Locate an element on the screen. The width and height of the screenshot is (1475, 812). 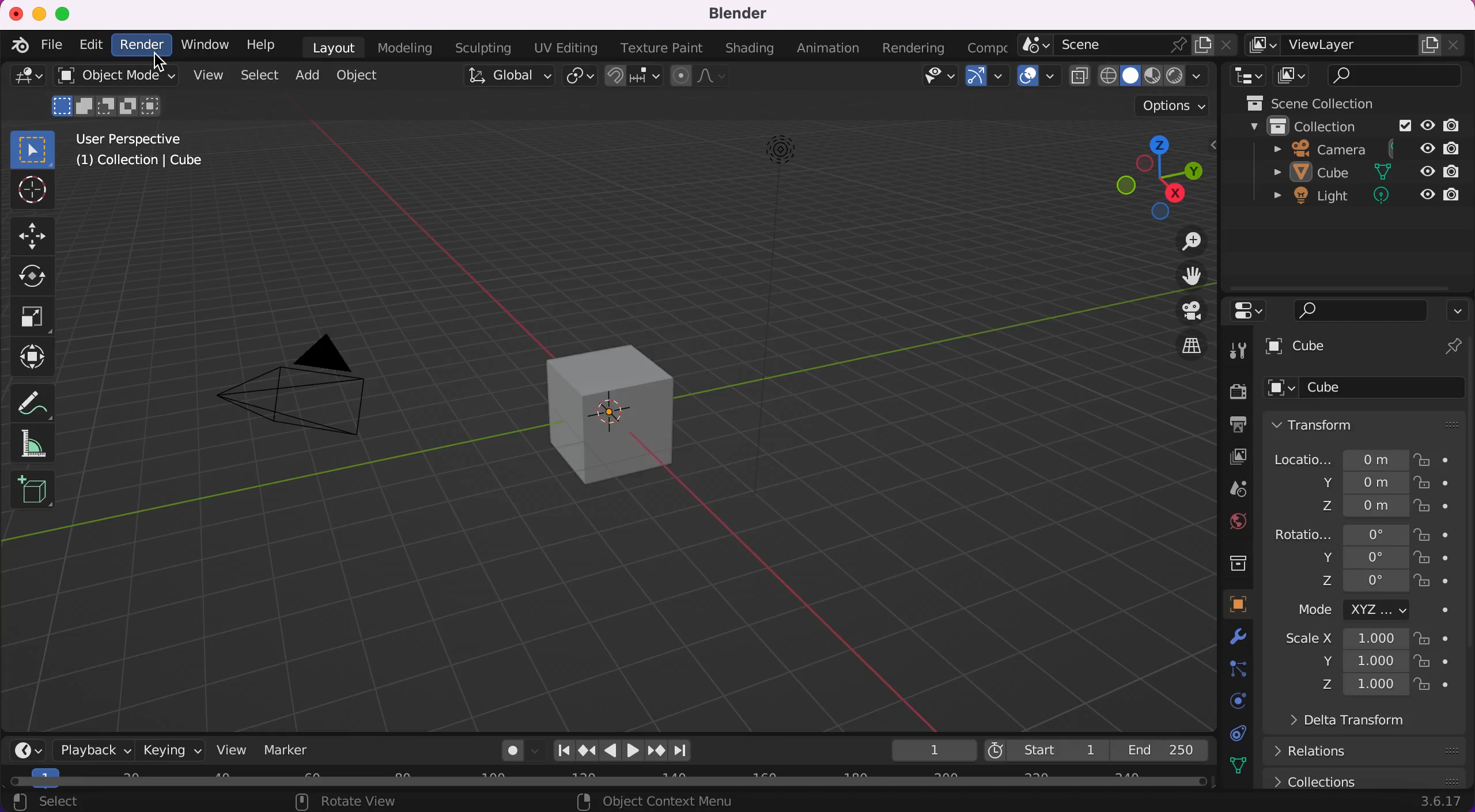
scene is located at coordinates (1128, 47).